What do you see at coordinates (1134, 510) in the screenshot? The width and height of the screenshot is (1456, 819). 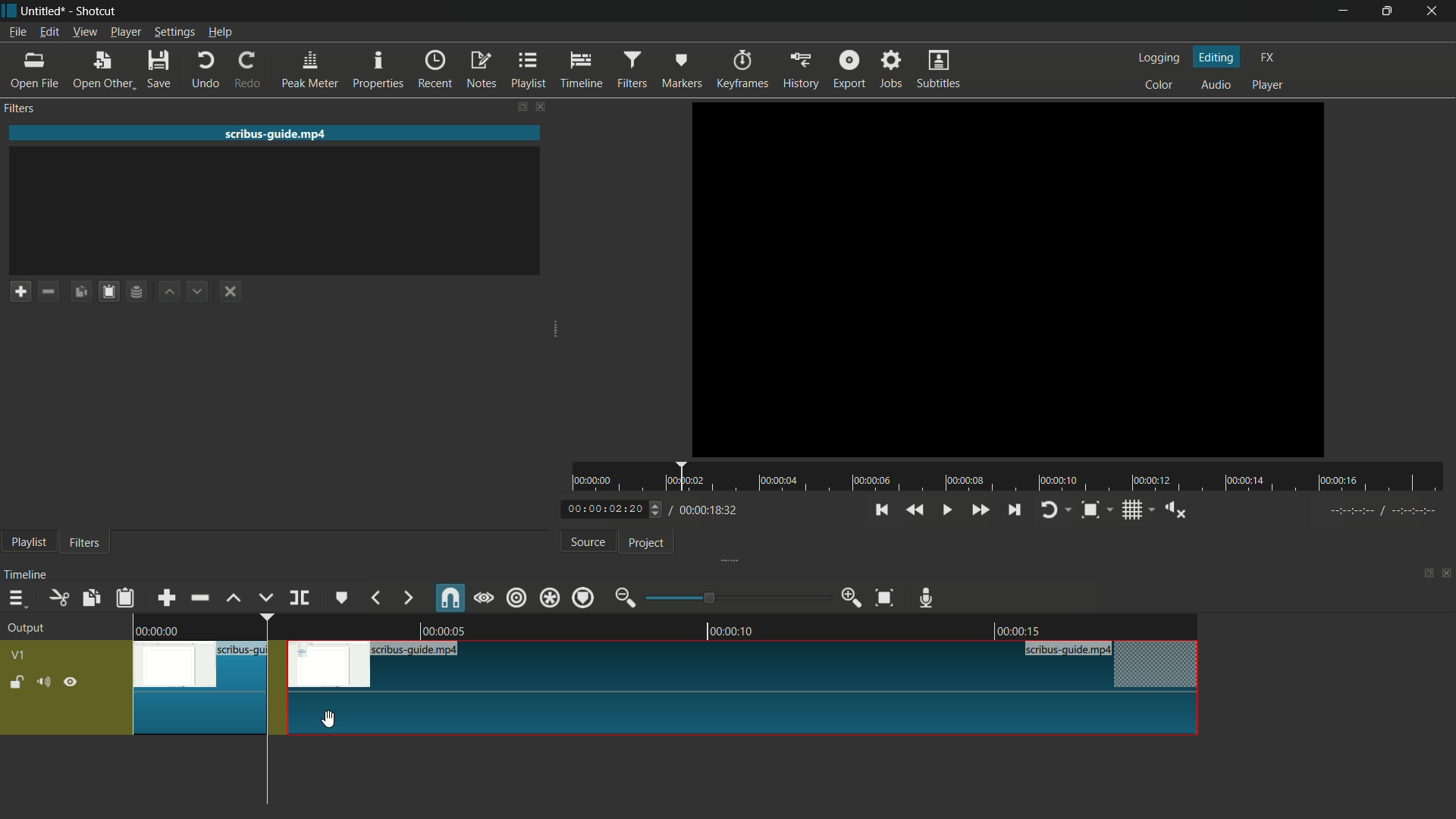 I see `toggle grid` at bounding box center [1134, 510].